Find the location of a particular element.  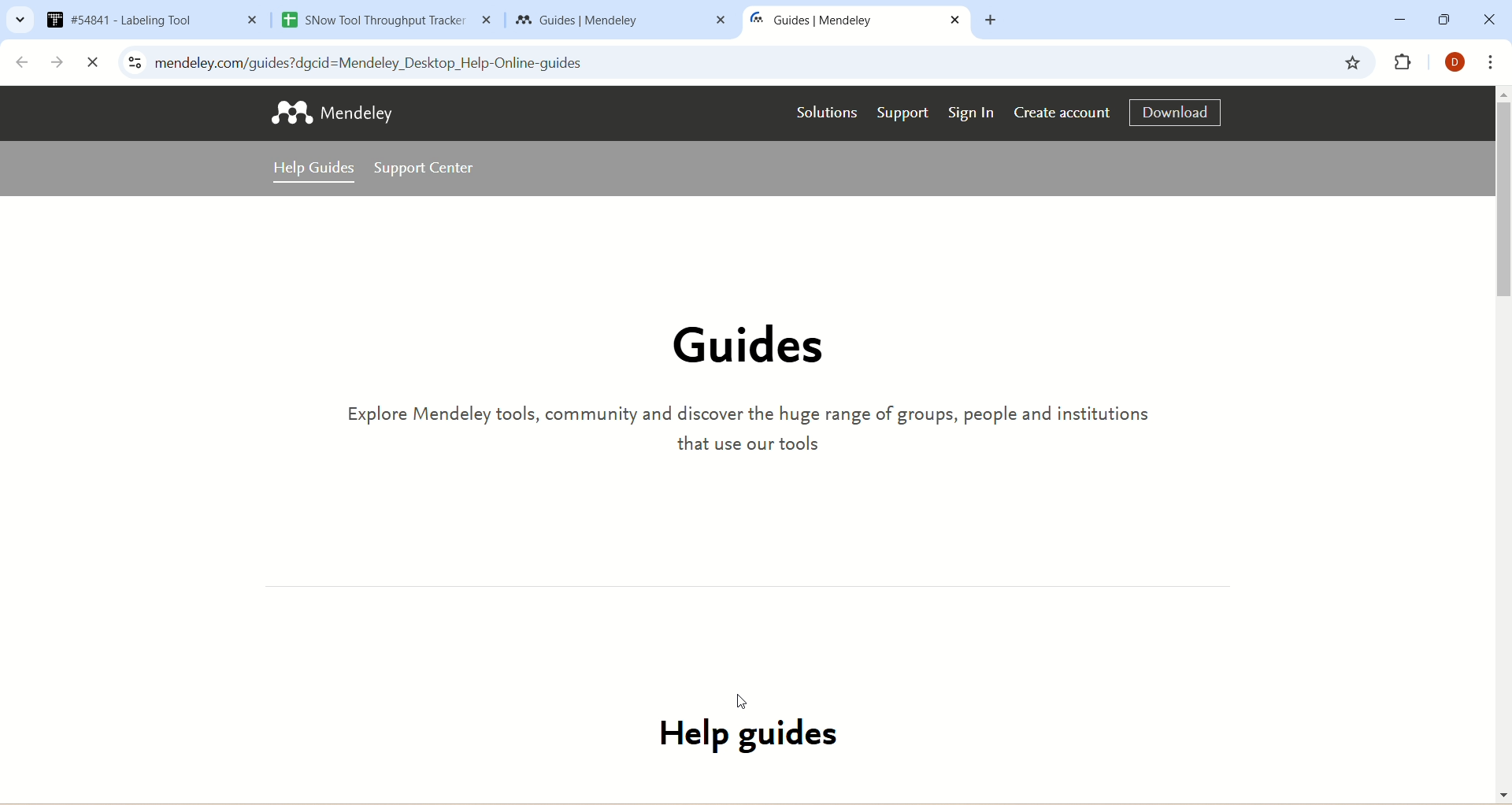

Guides | Mendely is located at coordinates (858, 24).